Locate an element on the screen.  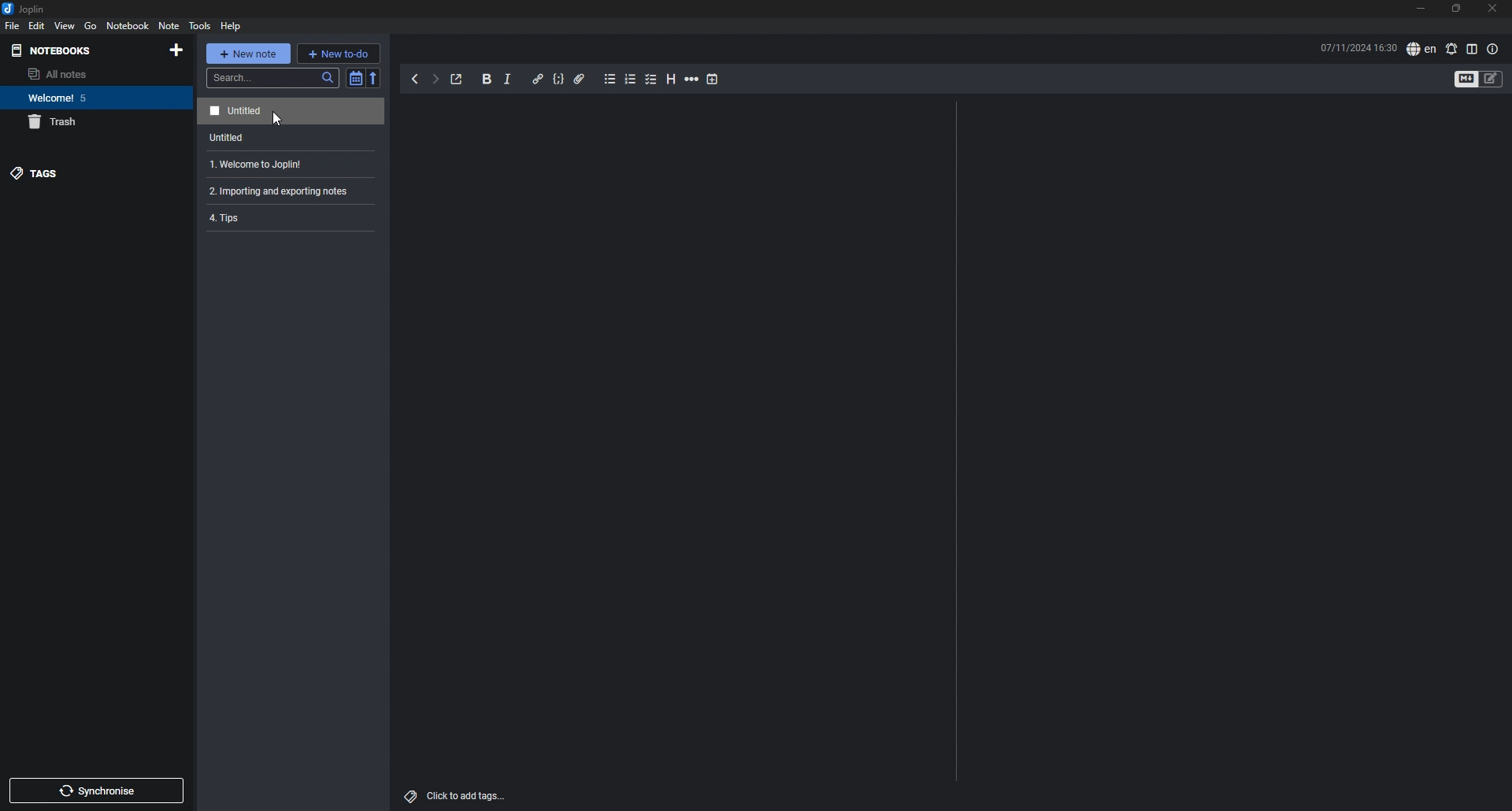
code is located at coordinates (558, 80).